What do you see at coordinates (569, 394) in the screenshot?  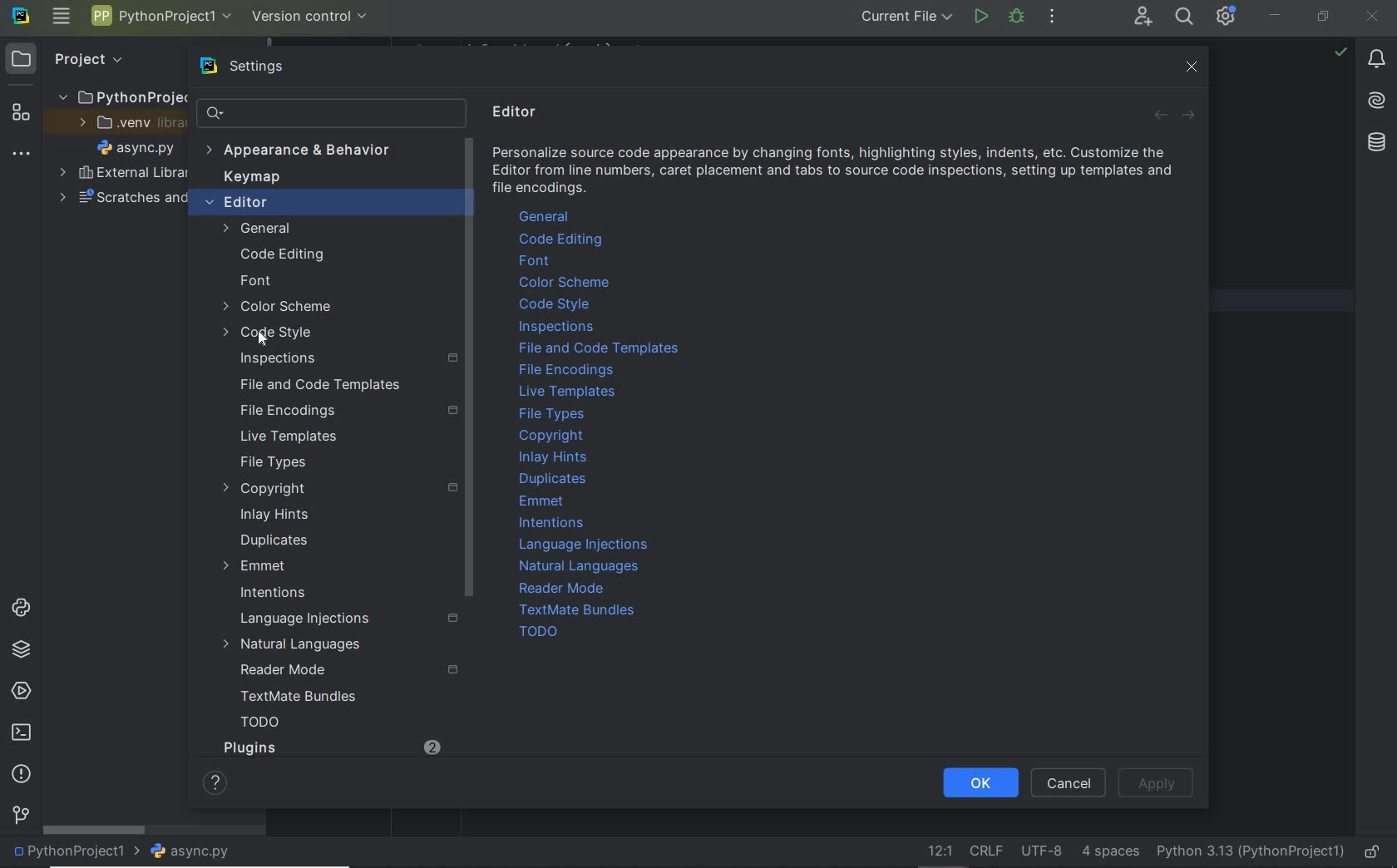 I see `Live Templates` at bounding box center [569, 394].